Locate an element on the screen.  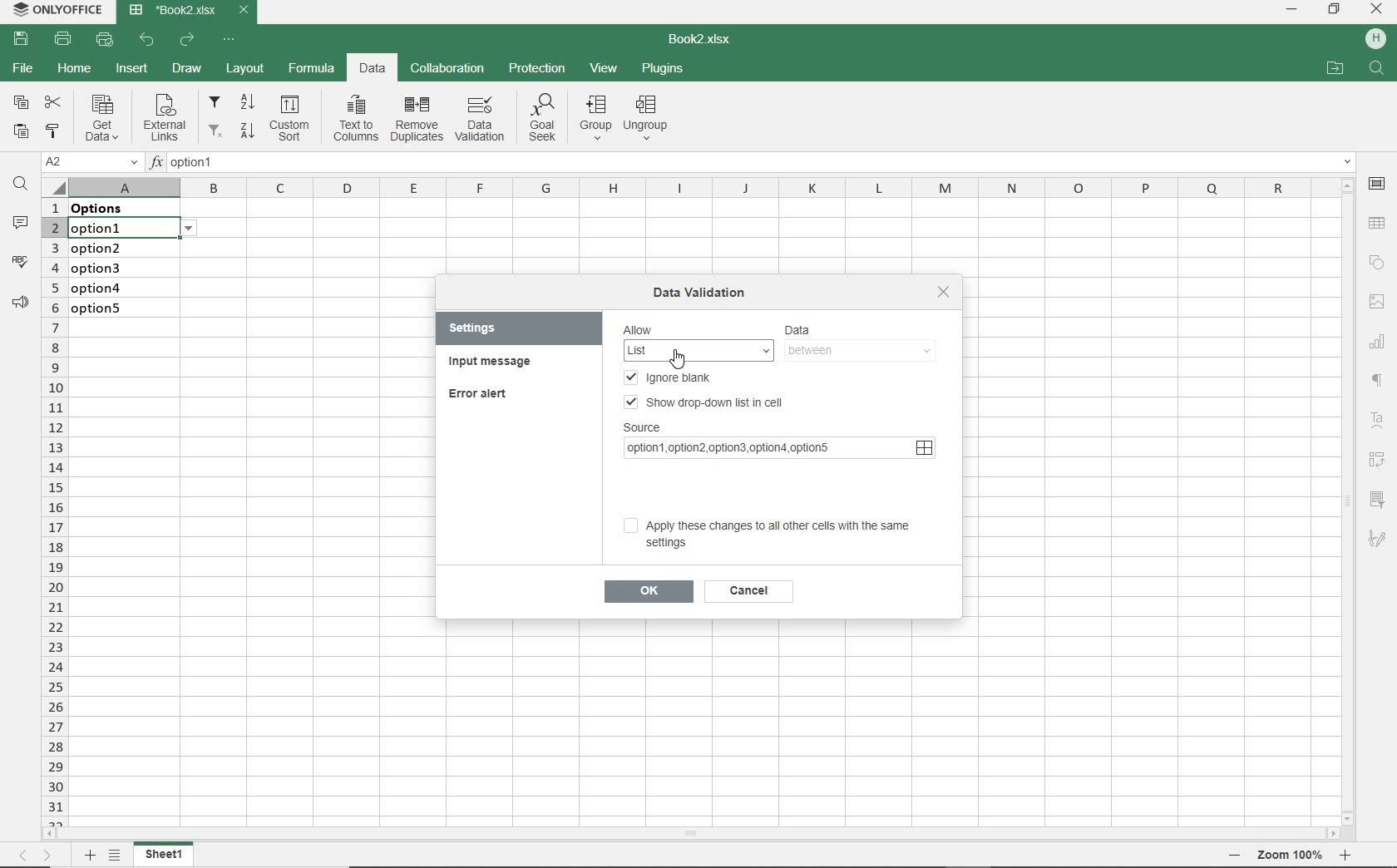
NONPRINTING CHARACTERS is located at coordinates (1380, 382).